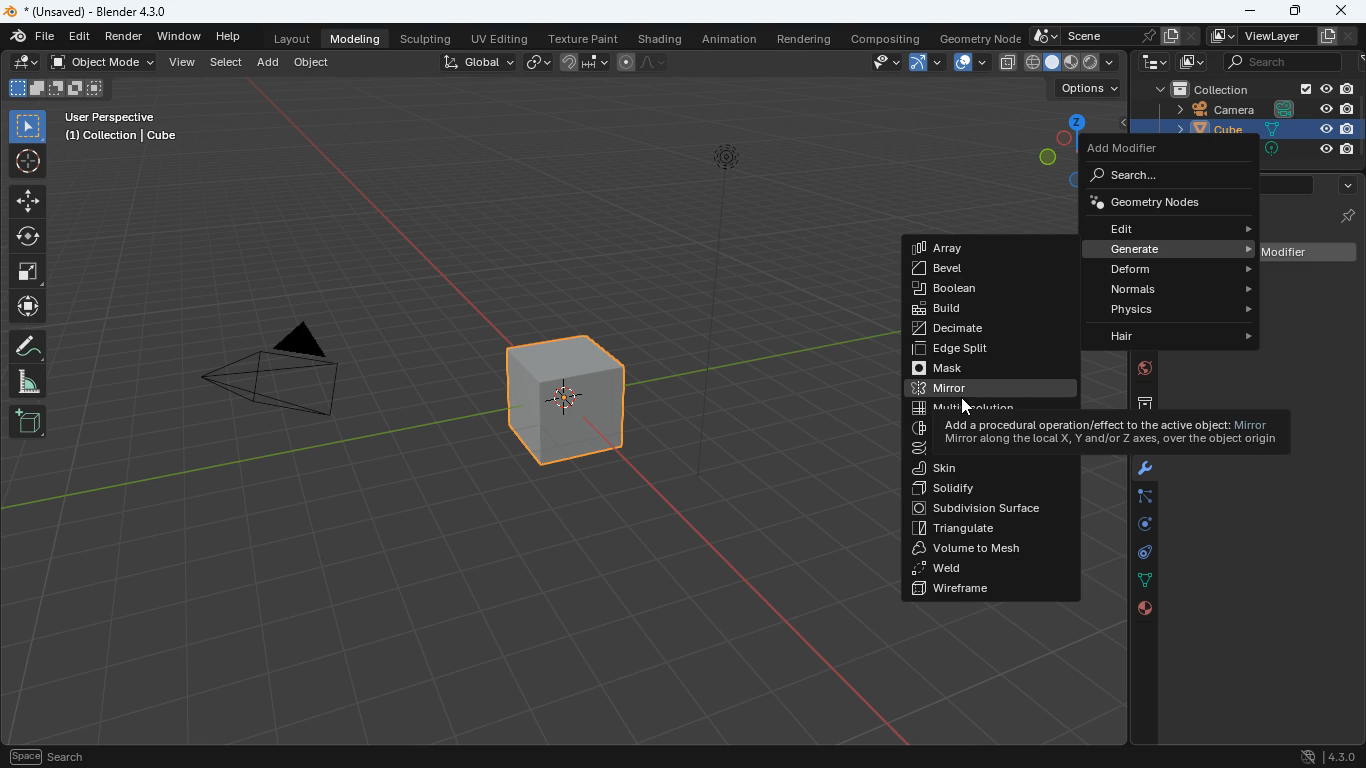 The image size is (1366, 768). Describe the element at coordinates (184, 63) in the screenshot. I see `view` at that location.